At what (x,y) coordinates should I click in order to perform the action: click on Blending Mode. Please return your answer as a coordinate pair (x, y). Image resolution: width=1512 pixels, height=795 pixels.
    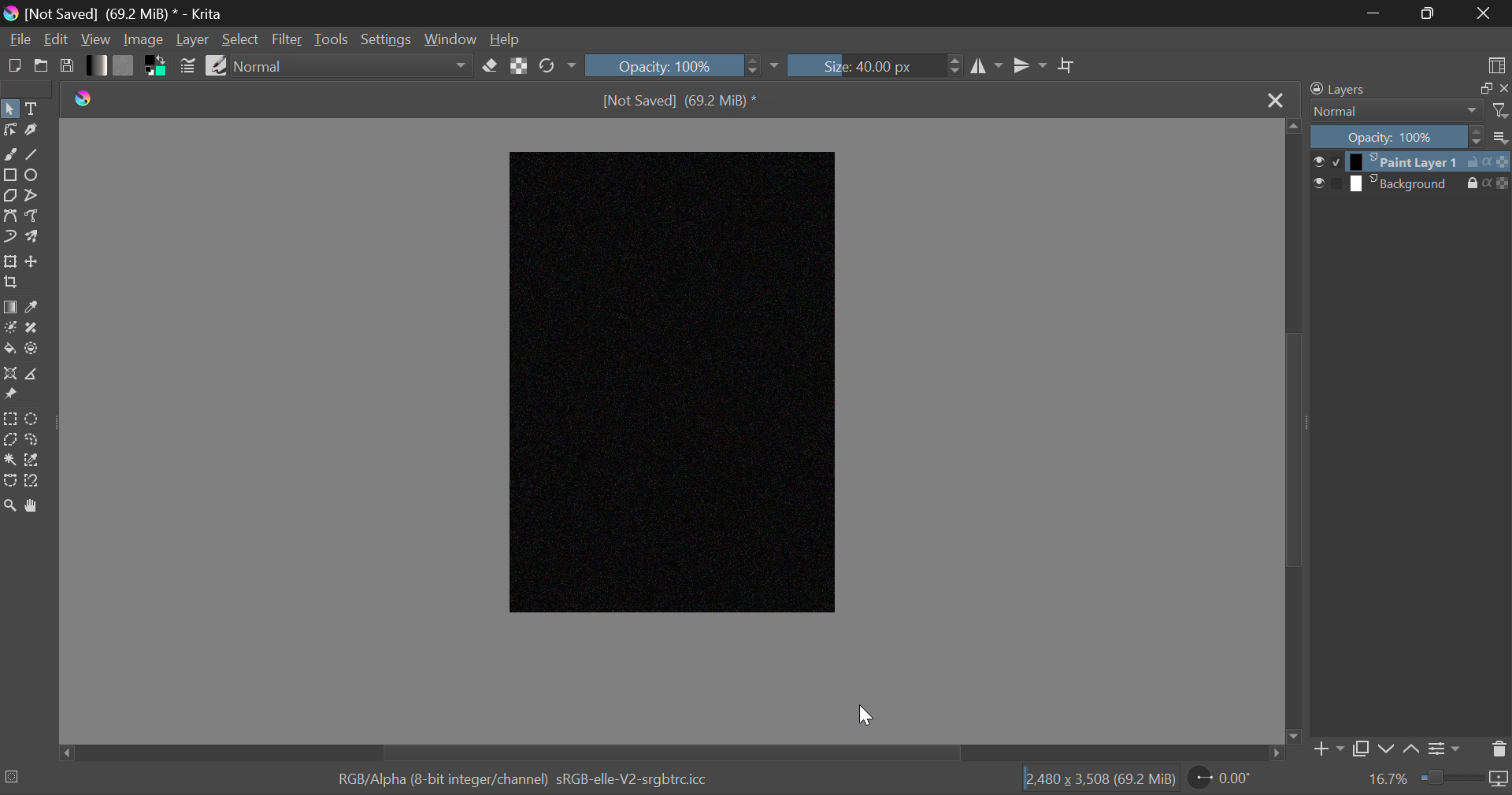
    Looking at the image, I should click on (352, 68).